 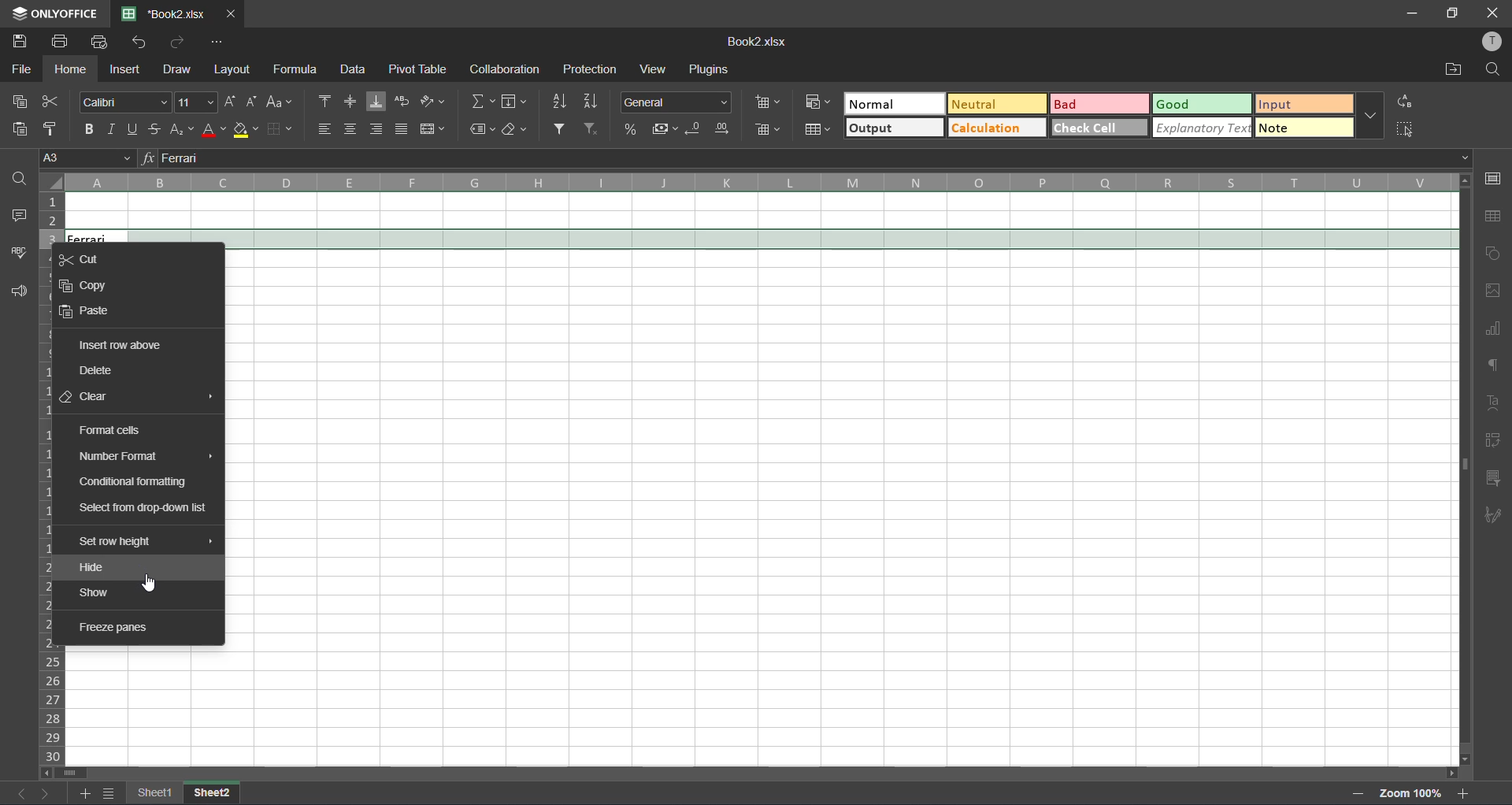 I want to click on font style, so click(x=122, y=102).